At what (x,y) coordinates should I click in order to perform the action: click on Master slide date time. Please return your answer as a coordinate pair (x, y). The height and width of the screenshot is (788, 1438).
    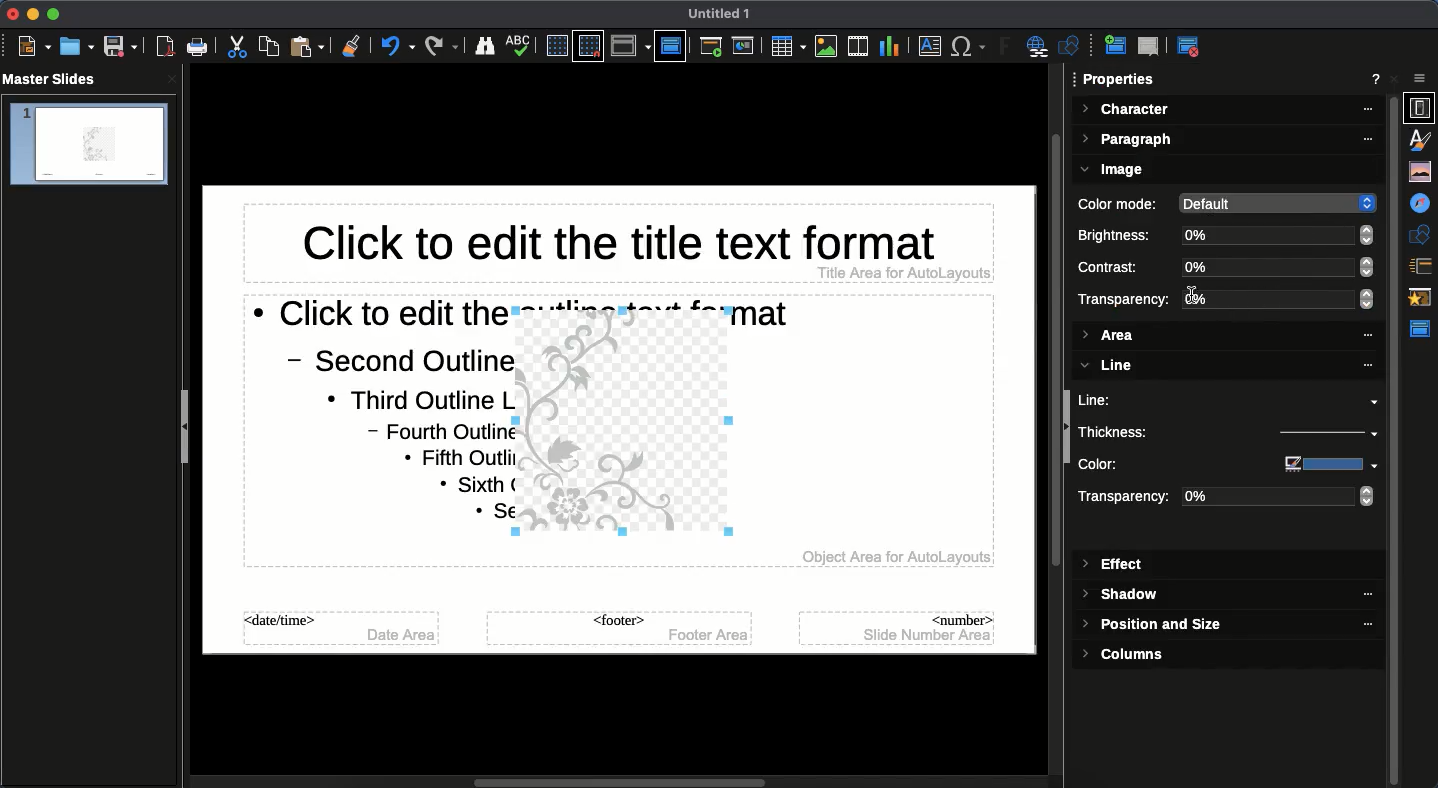
    Looking at the image, I should click on (342, 632).